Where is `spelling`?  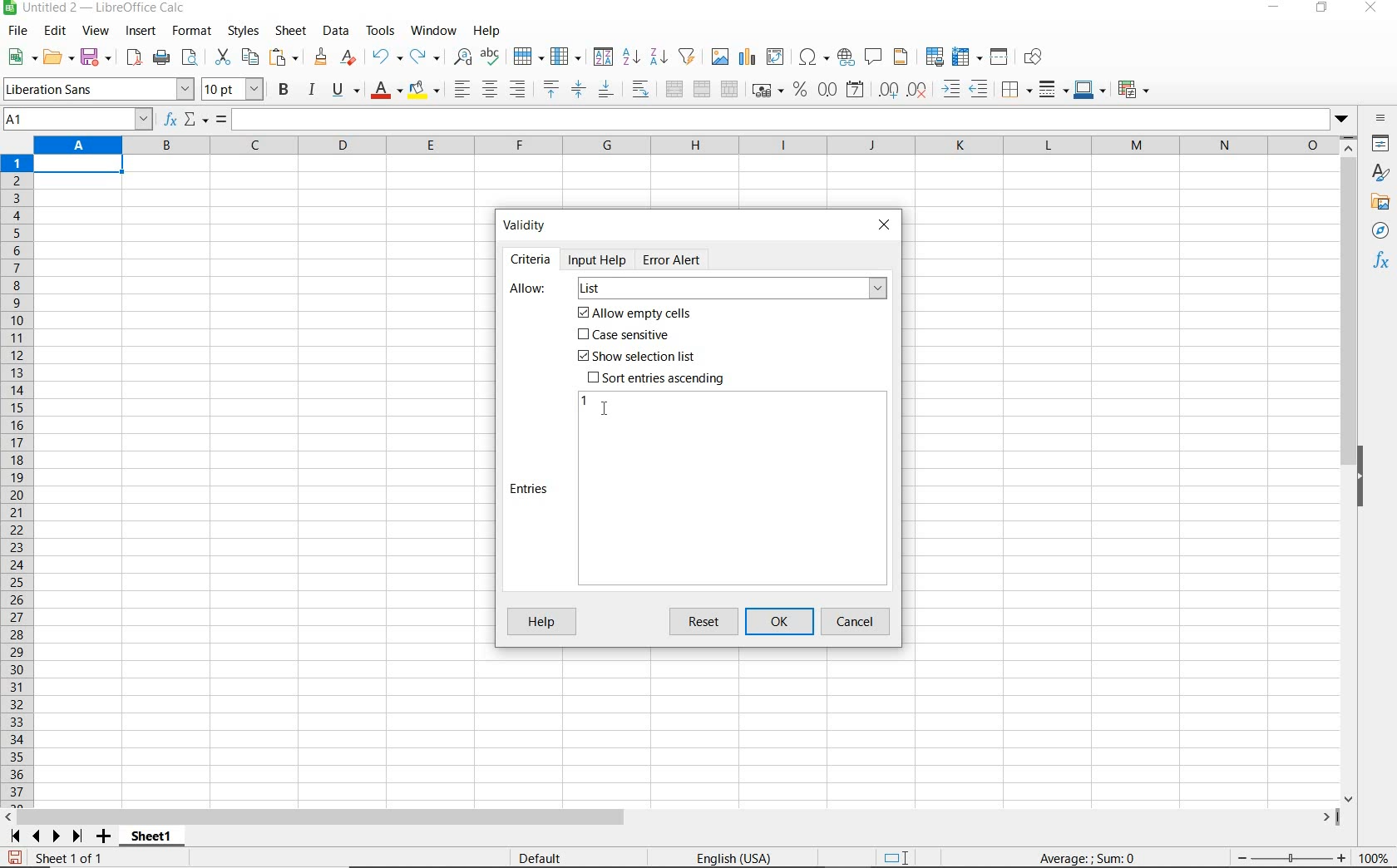
spelling is located at coordinates (492, 57).